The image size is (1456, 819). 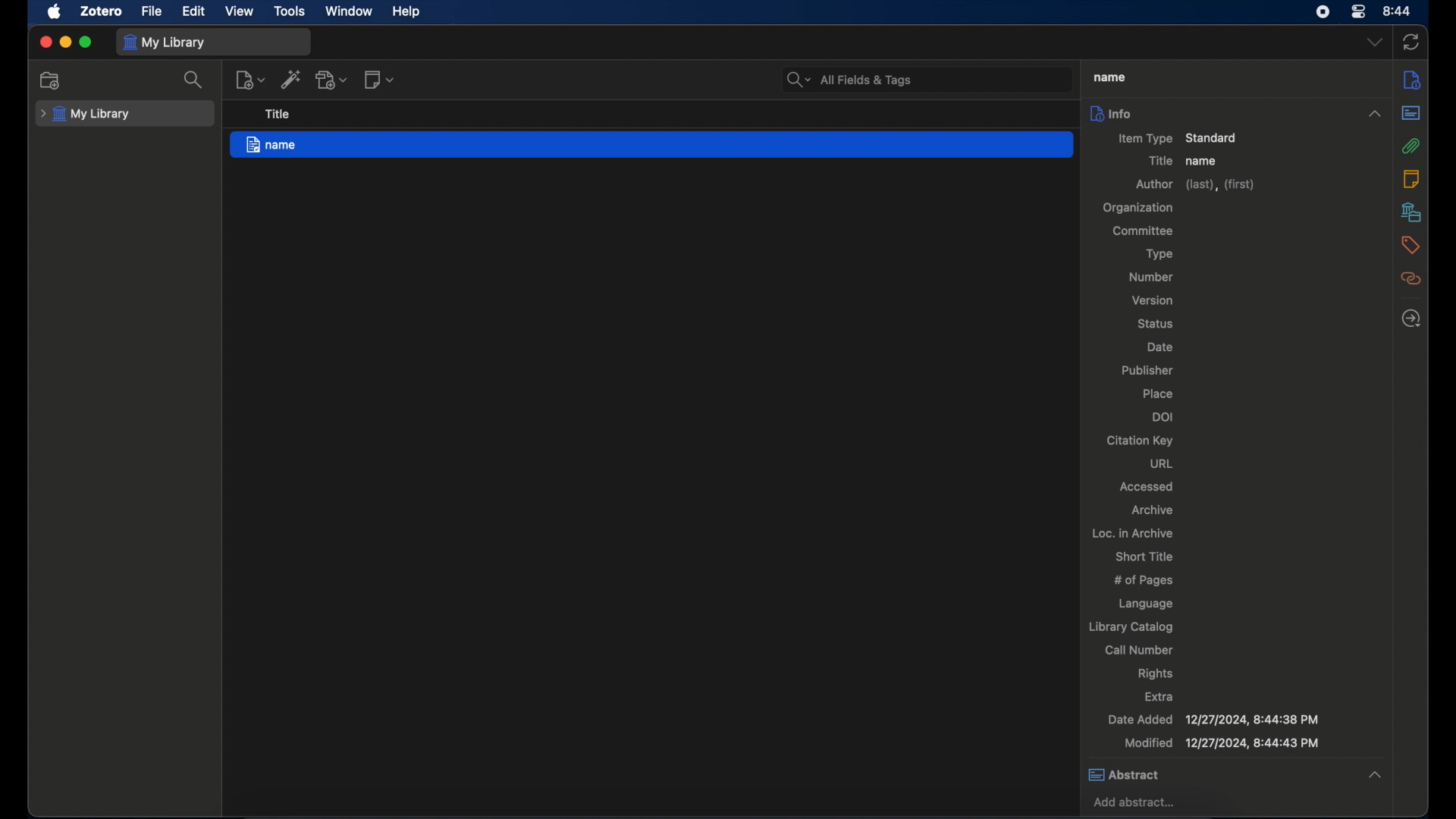 I want to click on library catalog, so click(x=1131, y=628).